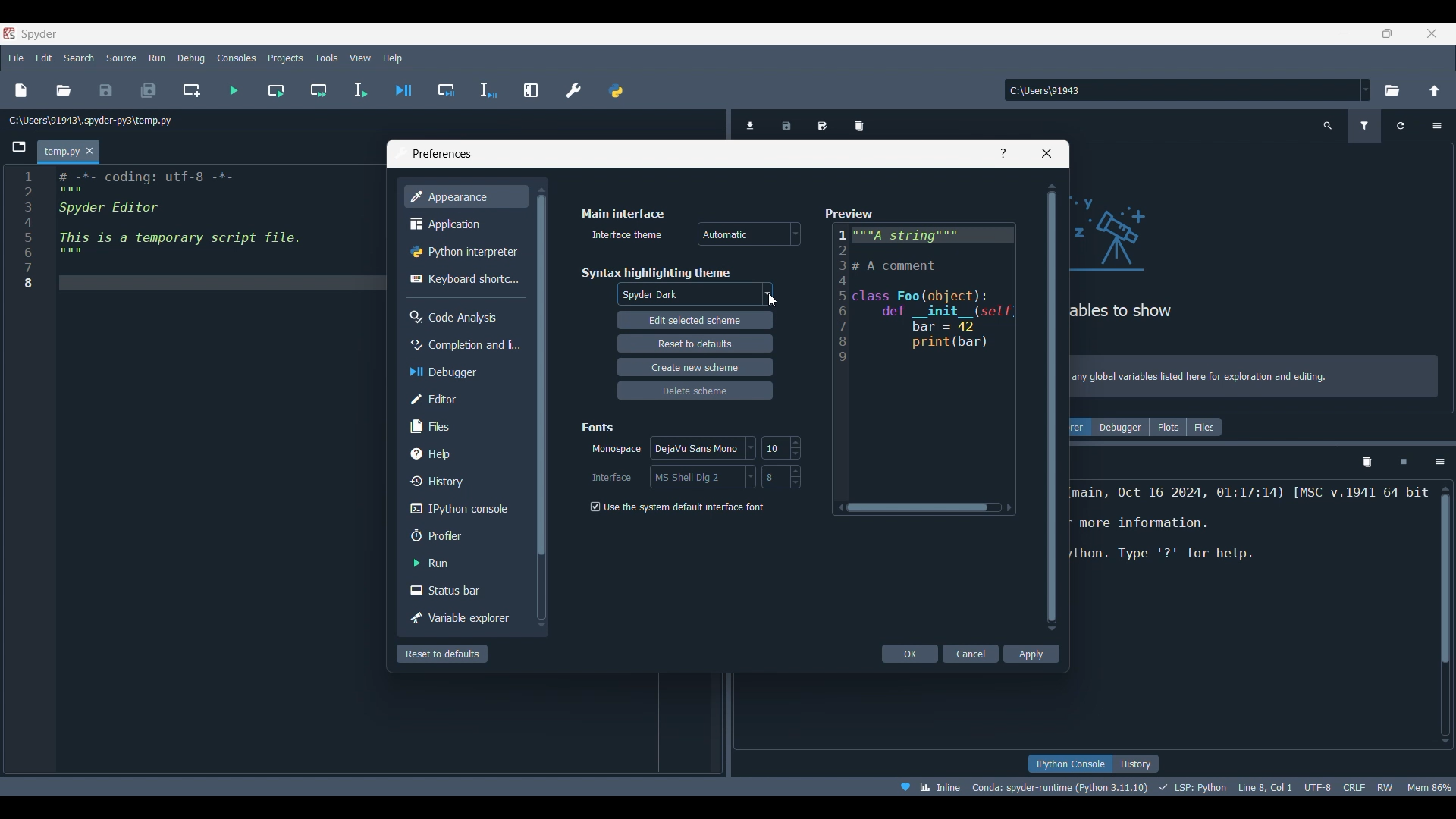 This screenshot has height=819, width=1456. What do you see at coordinates (1319, 785) in the screenshot?
I see `utf-8` at bounding box center [1319, 785].